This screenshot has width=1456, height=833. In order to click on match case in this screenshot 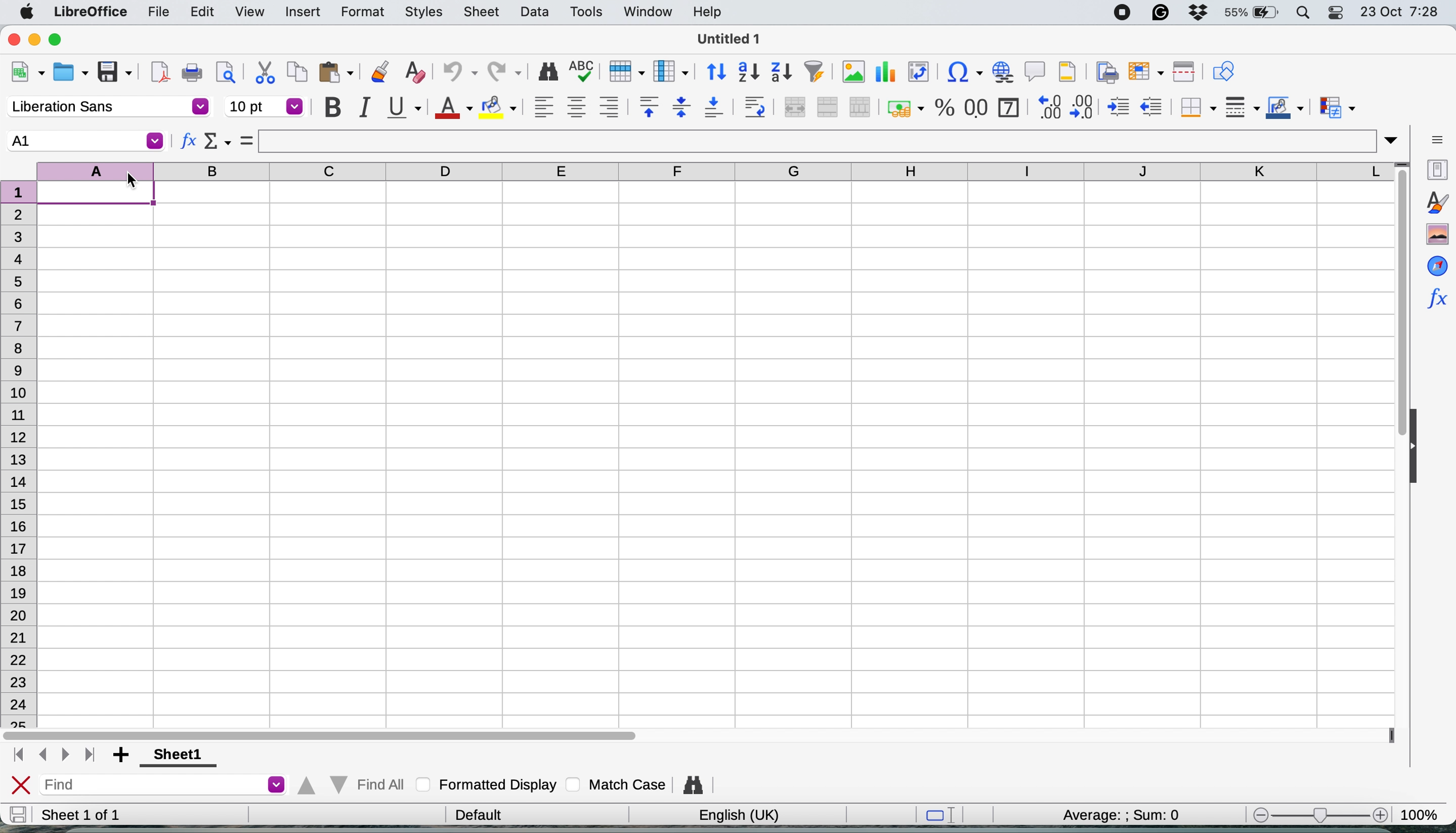, I will do `click(619, 785)`.